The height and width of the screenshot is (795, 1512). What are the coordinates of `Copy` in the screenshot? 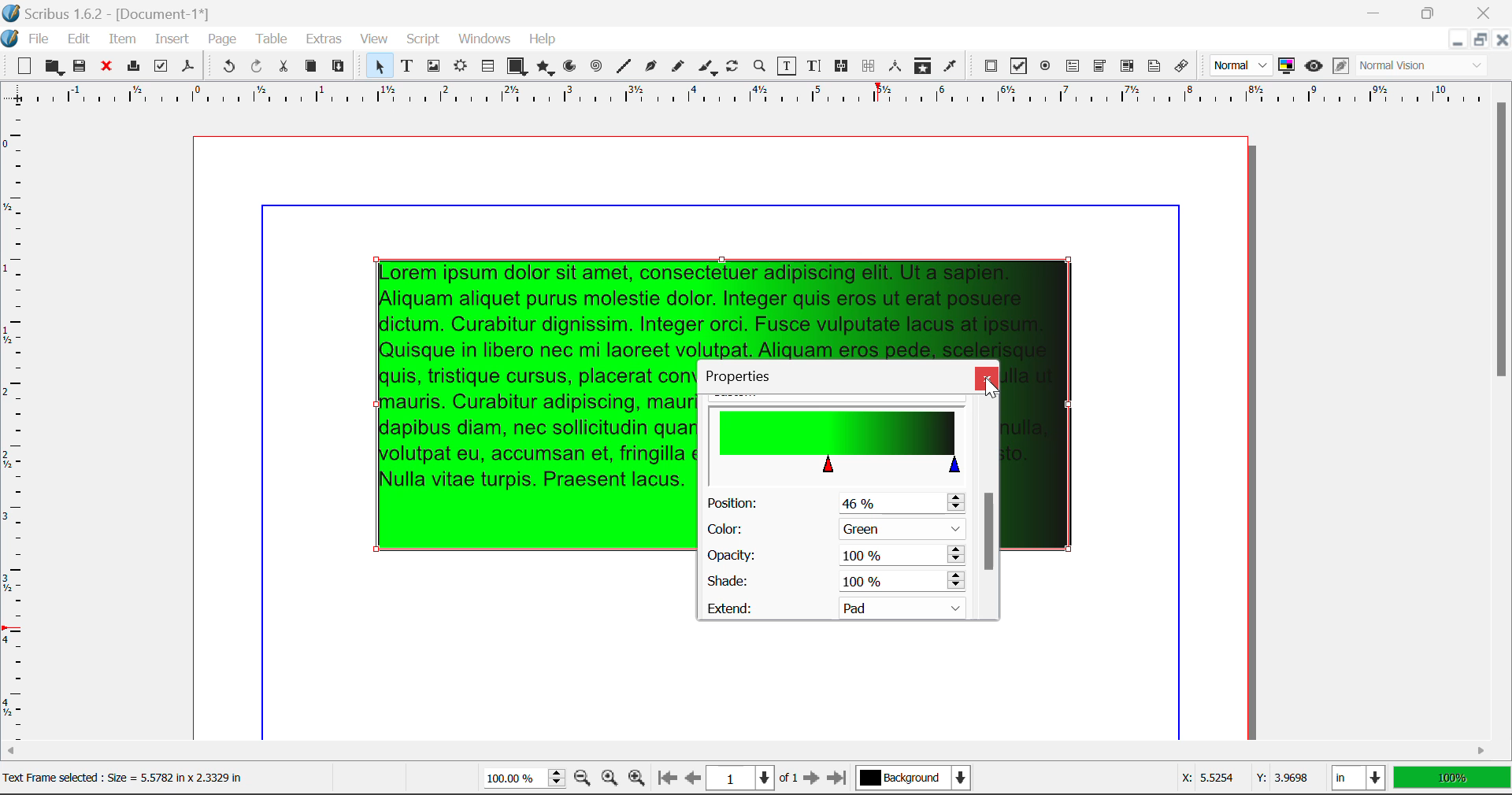 It's located at (312, 66).